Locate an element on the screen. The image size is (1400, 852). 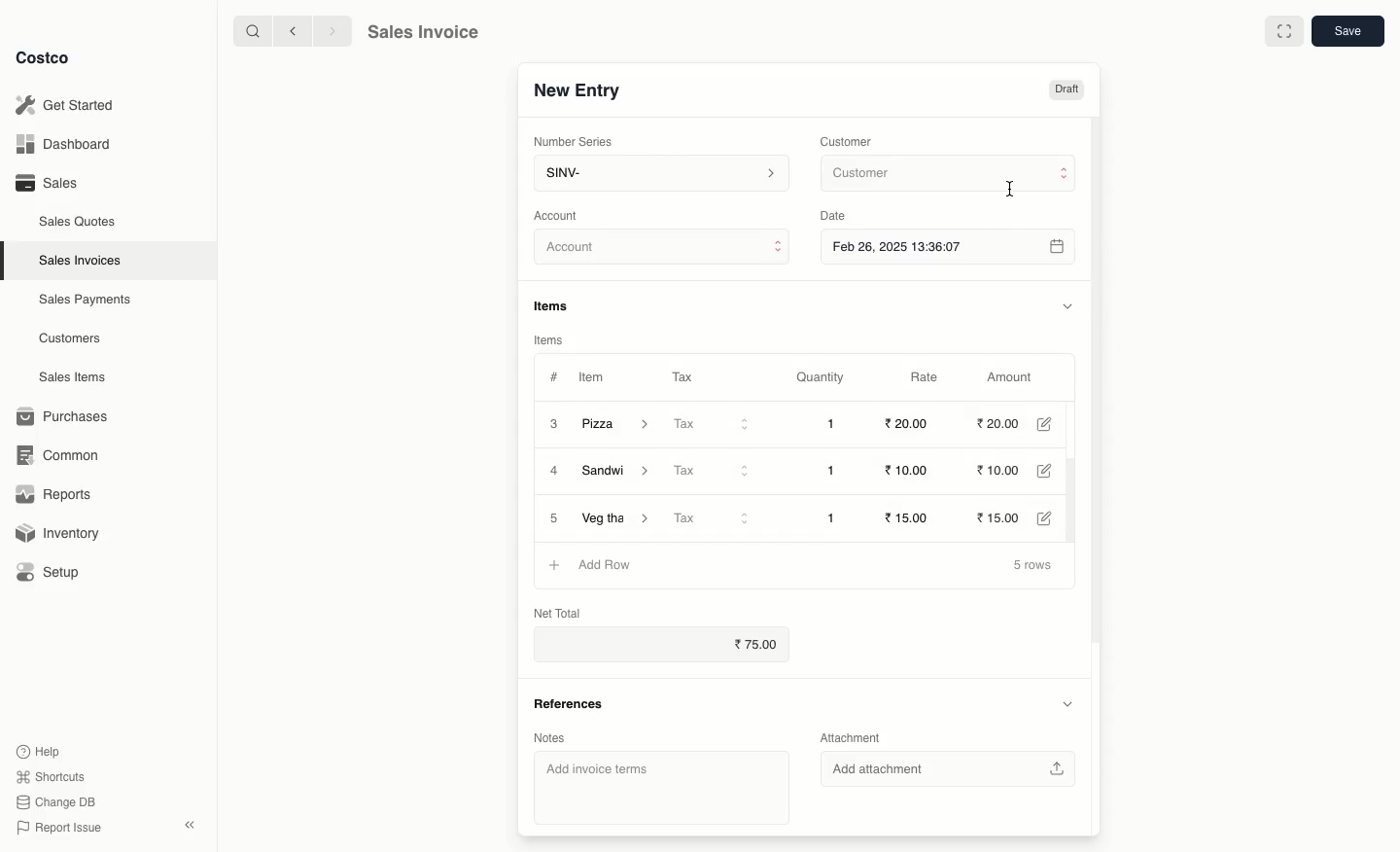
15.00 is located at coordinates (1008, 515).